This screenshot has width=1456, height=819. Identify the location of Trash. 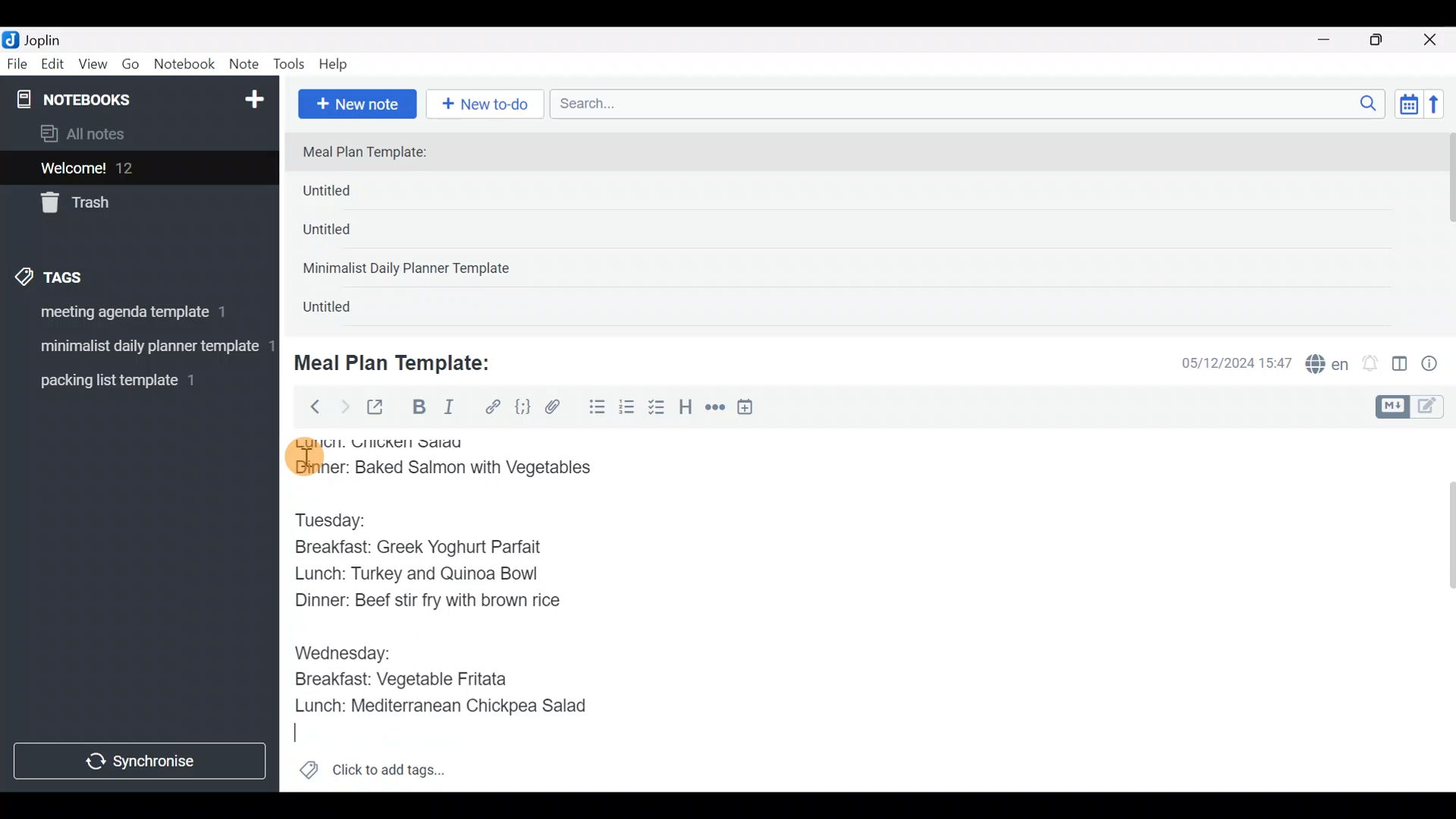
(130, 204).